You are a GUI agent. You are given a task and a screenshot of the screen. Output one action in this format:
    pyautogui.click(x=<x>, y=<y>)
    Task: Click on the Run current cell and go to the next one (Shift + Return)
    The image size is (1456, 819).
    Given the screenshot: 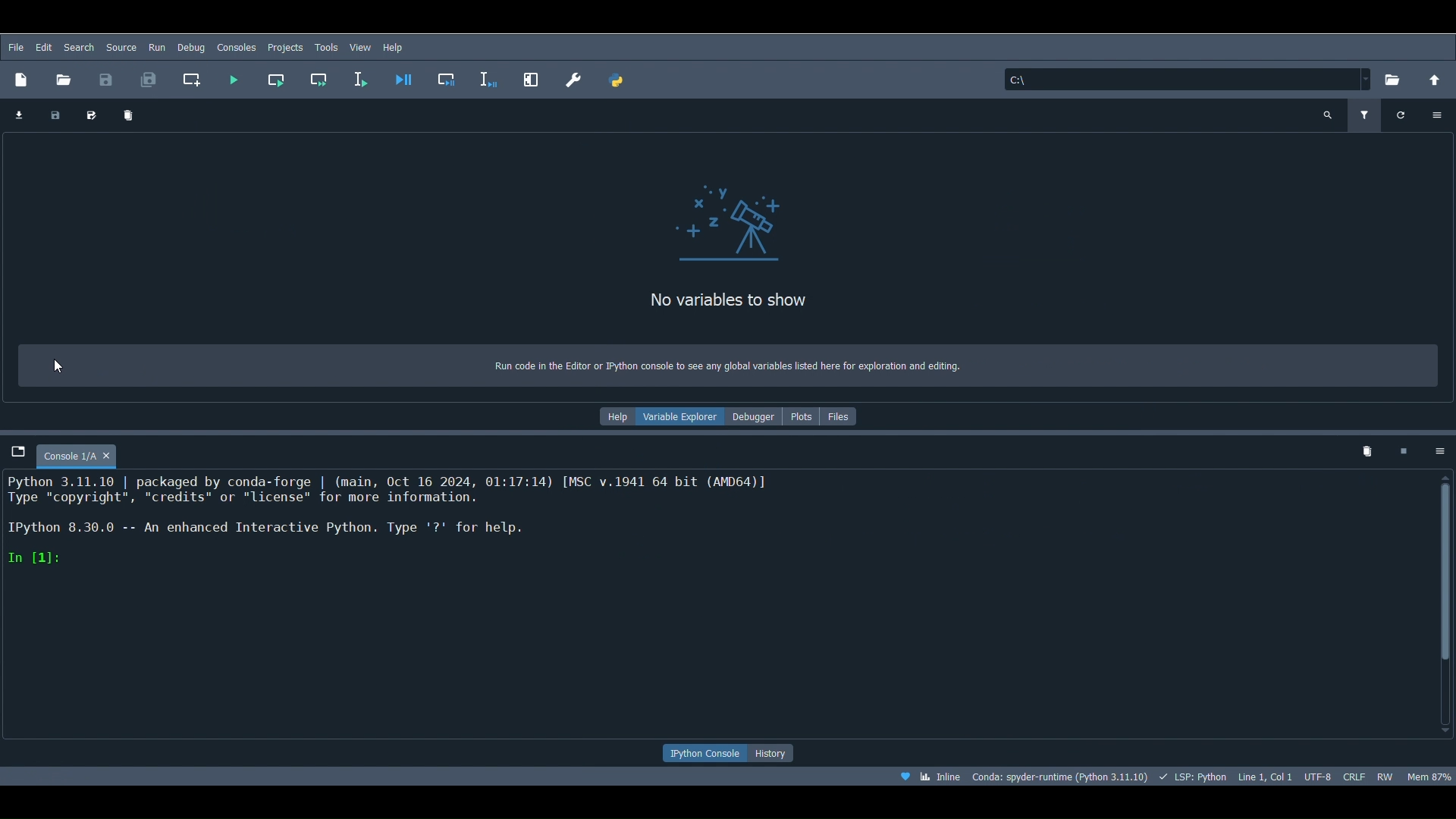 What is the action you would take?
    pyautogui.click(x=318, y=76)
    